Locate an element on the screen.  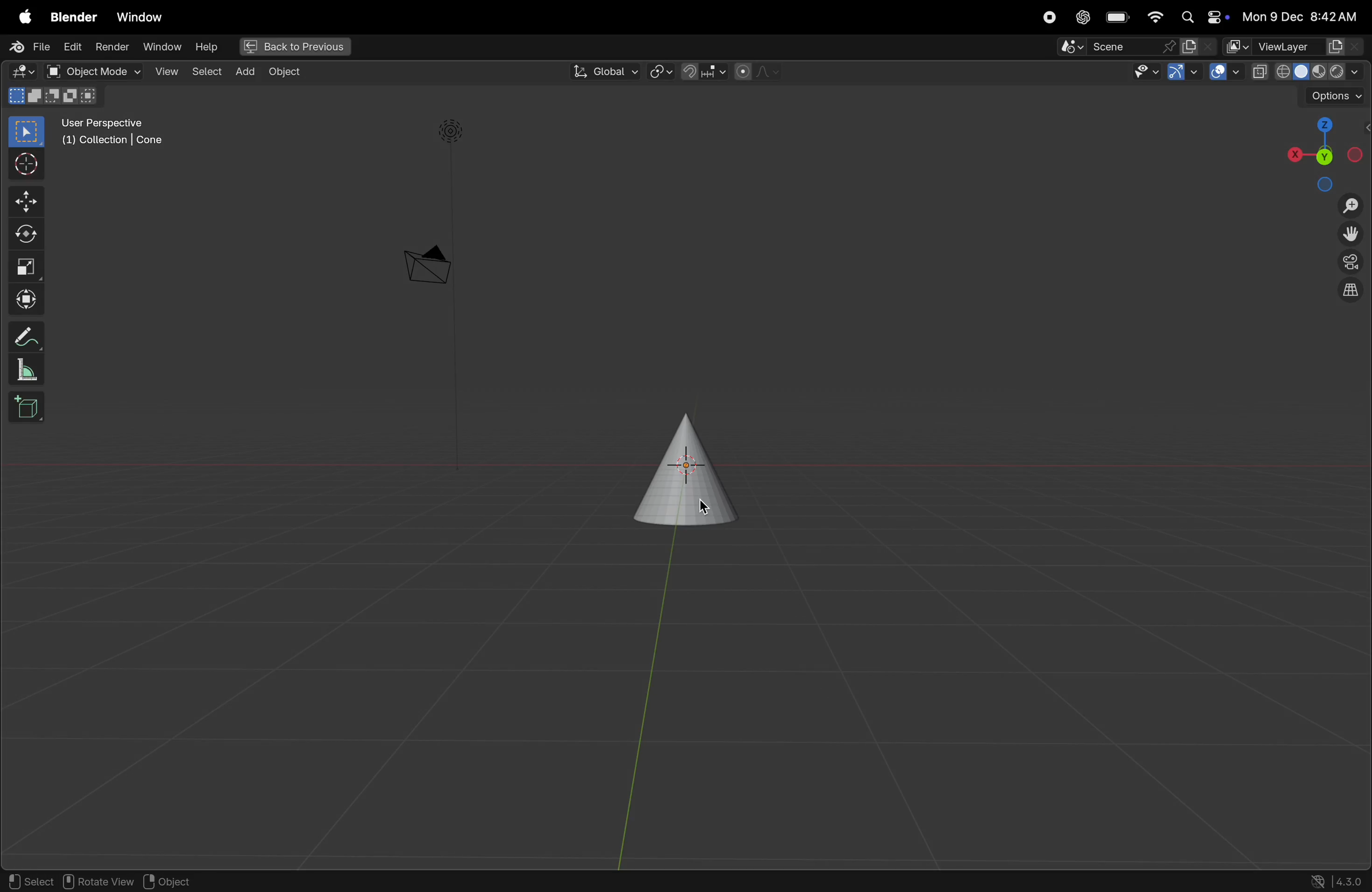
editor type is located at coordinates (22, 70).